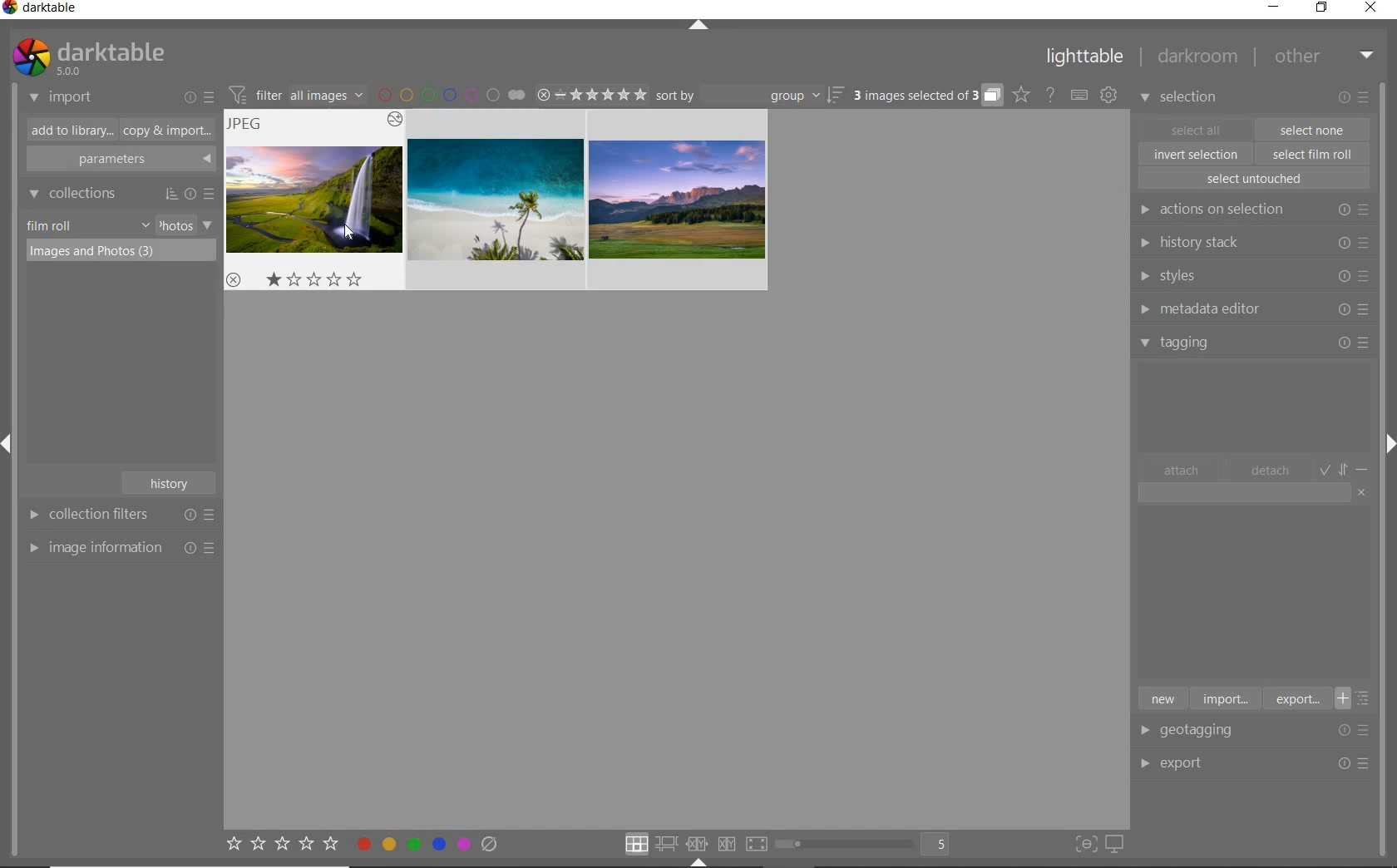 This screenshot has width=1397, height=868. What do you see at coordinates (281, 846) in the screenshot?
I see `set star rating for selected images` at bounding box center [281, 846].